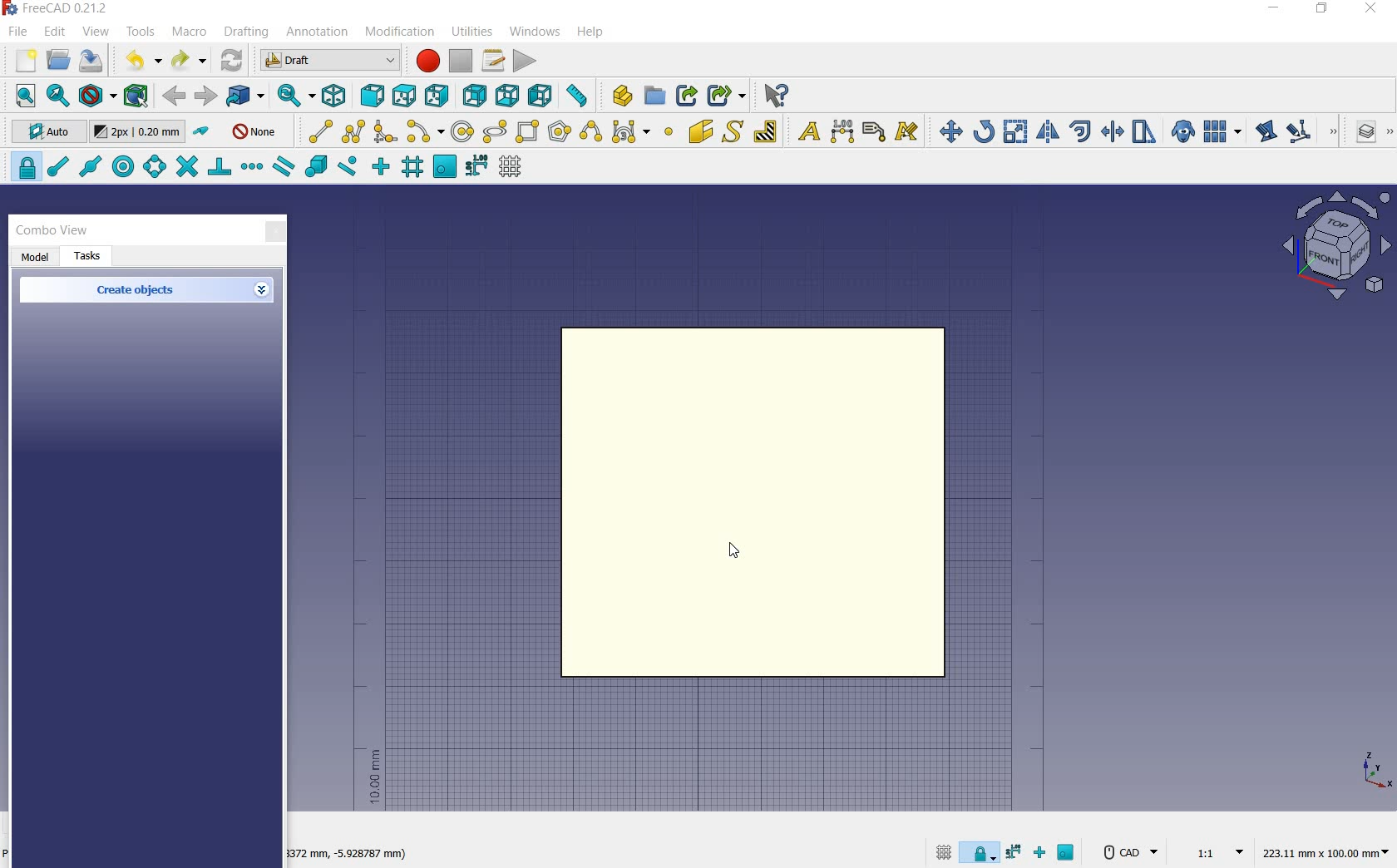 The width and height of the screenshot is (1397, 868). I want to click on sync view, so click(292, 96).